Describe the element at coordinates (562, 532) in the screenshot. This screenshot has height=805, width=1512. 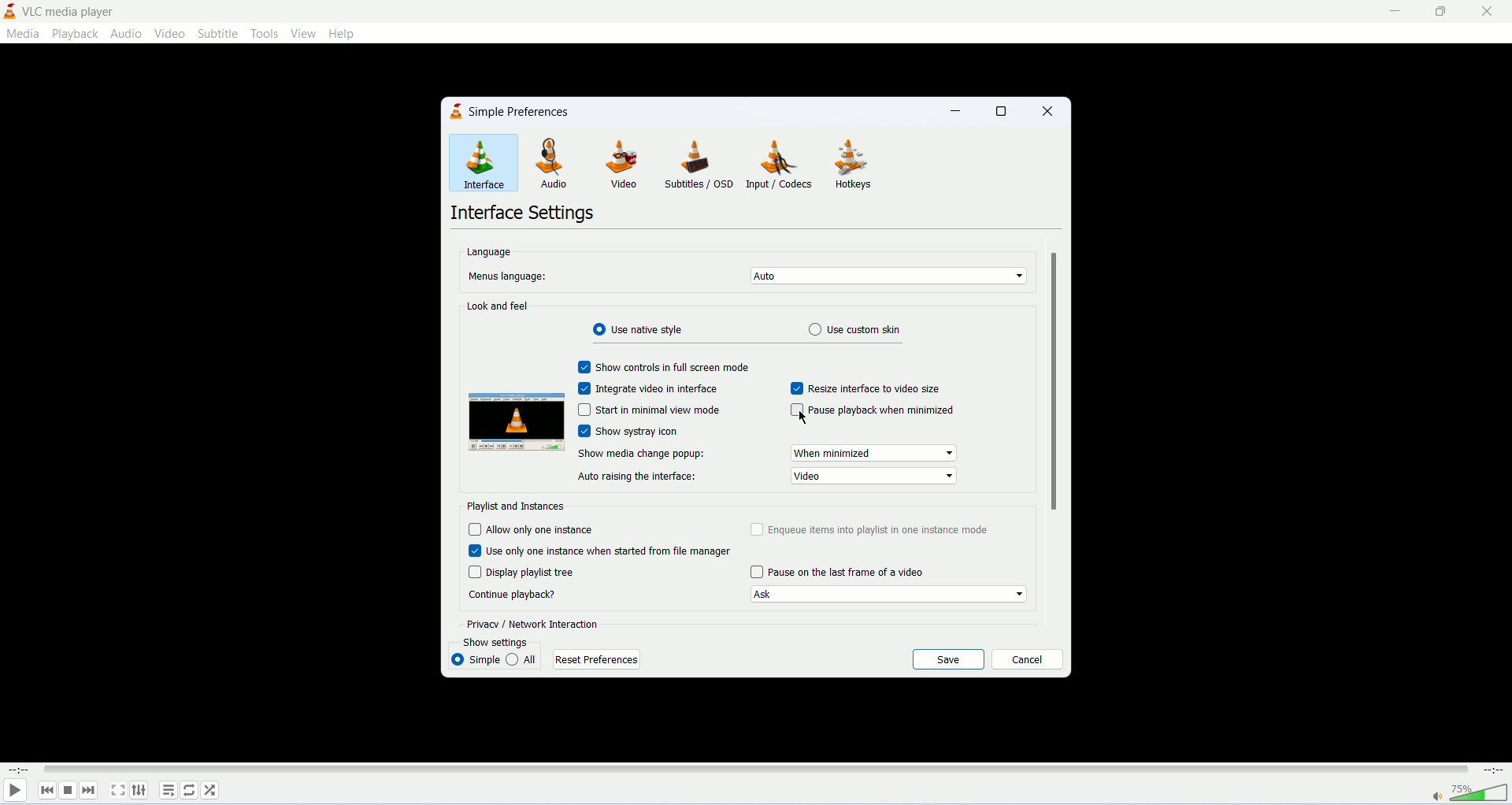
I see `allow only one instance` at that location.